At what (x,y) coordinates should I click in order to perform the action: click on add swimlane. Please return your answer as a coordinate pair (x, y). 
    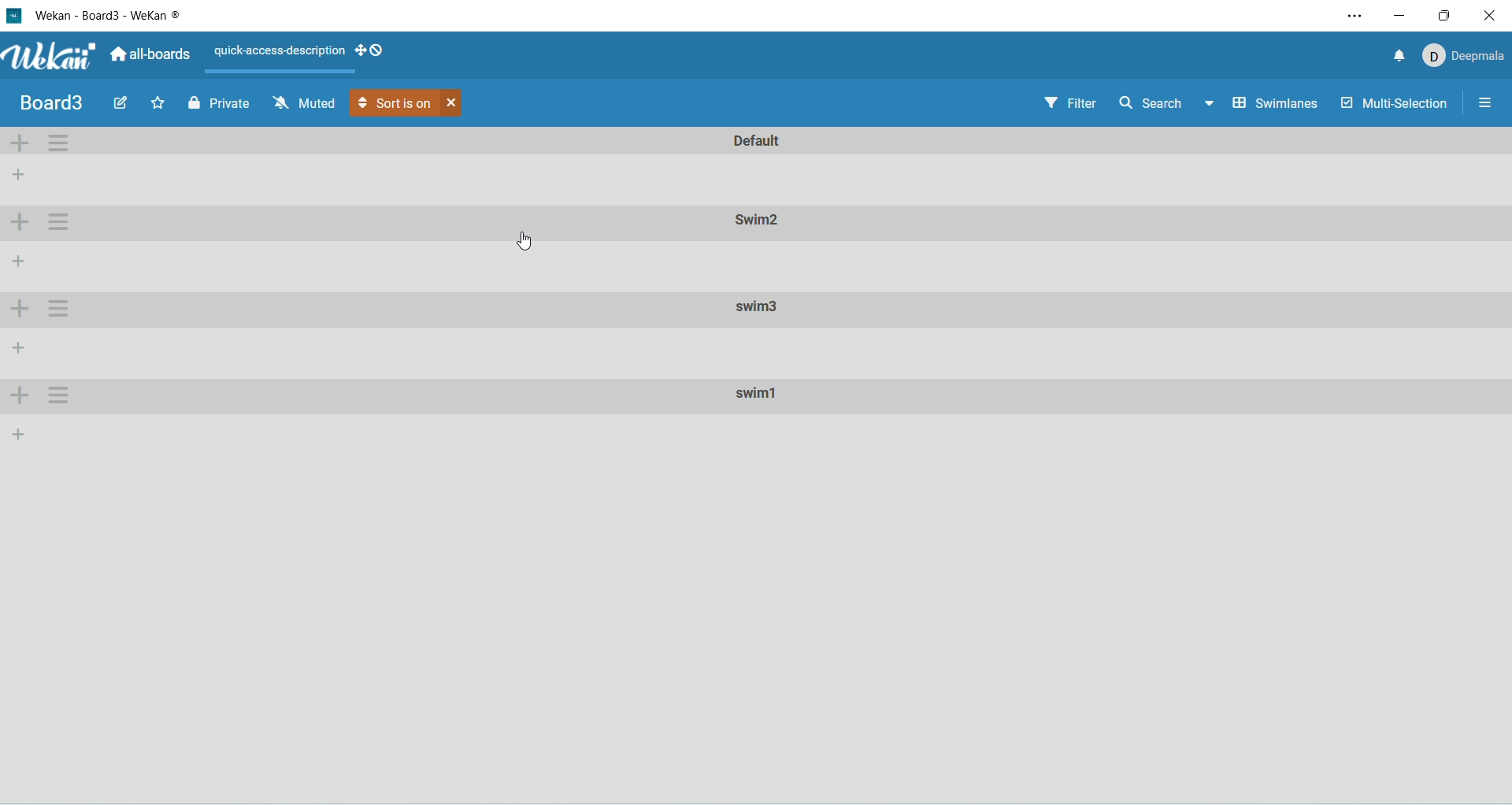
    Looking at the image, I should click on (20, 394).